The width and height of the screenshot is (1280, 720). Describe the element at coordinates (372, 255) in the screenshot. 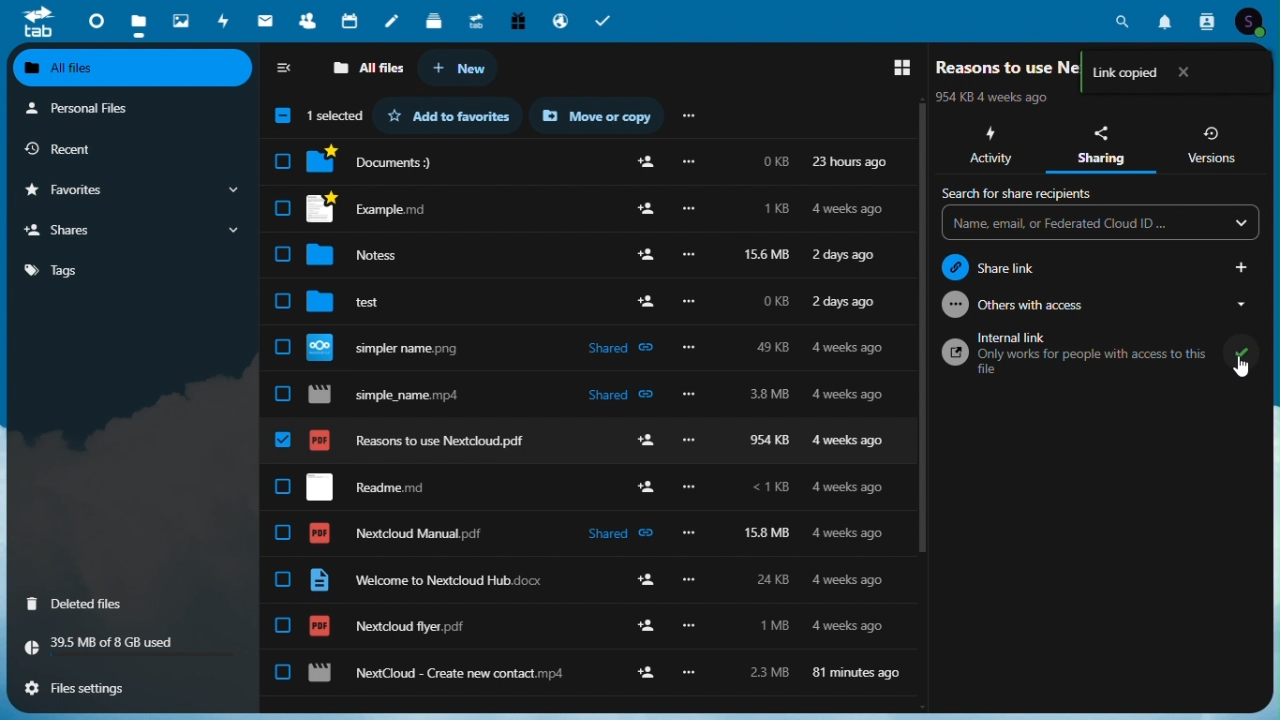

I see `notes` at that location.